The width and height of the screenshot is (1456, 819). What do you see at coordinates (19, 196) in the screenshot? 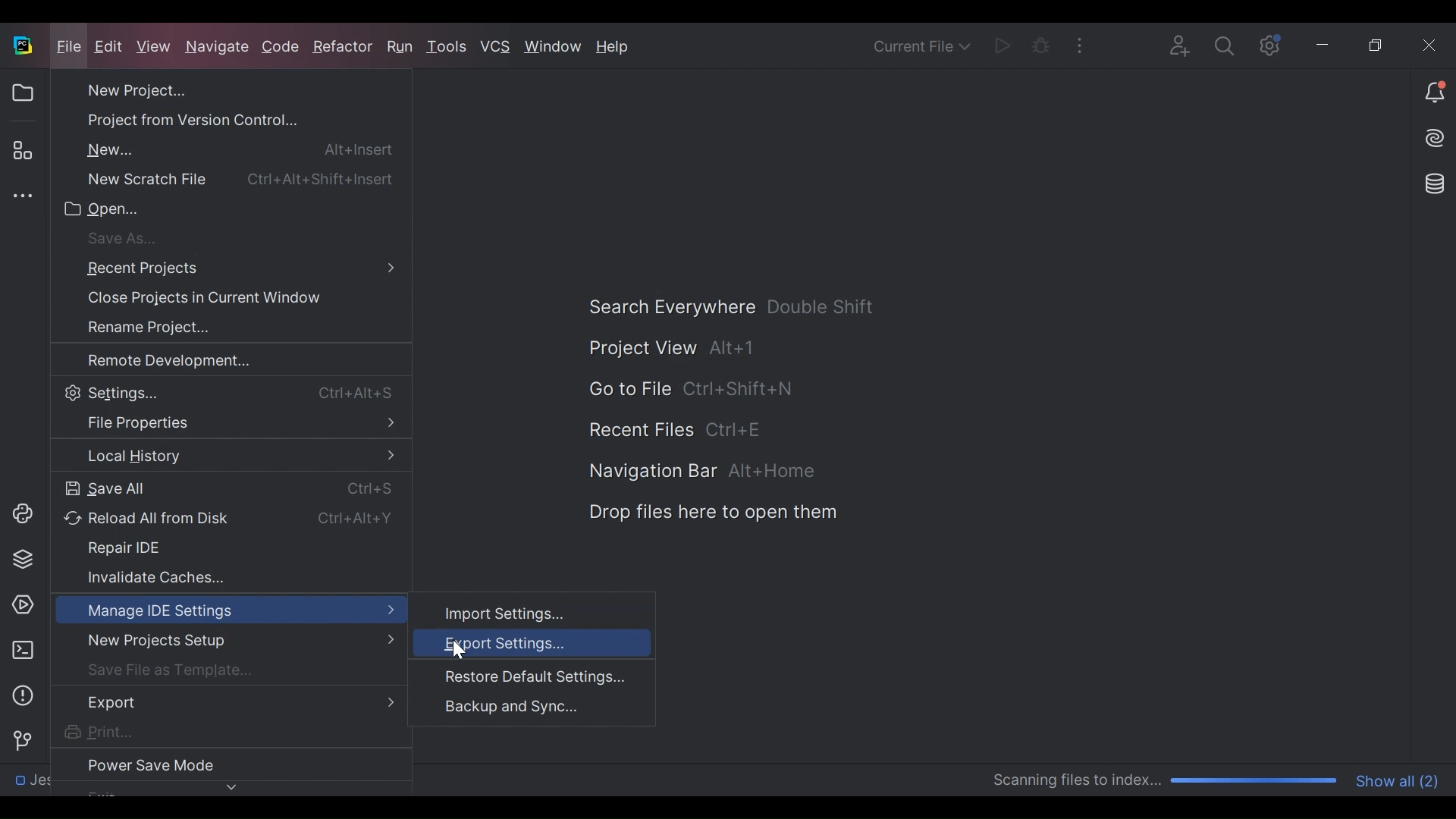
I see `More Tool window` at bounding box center [19, 196].